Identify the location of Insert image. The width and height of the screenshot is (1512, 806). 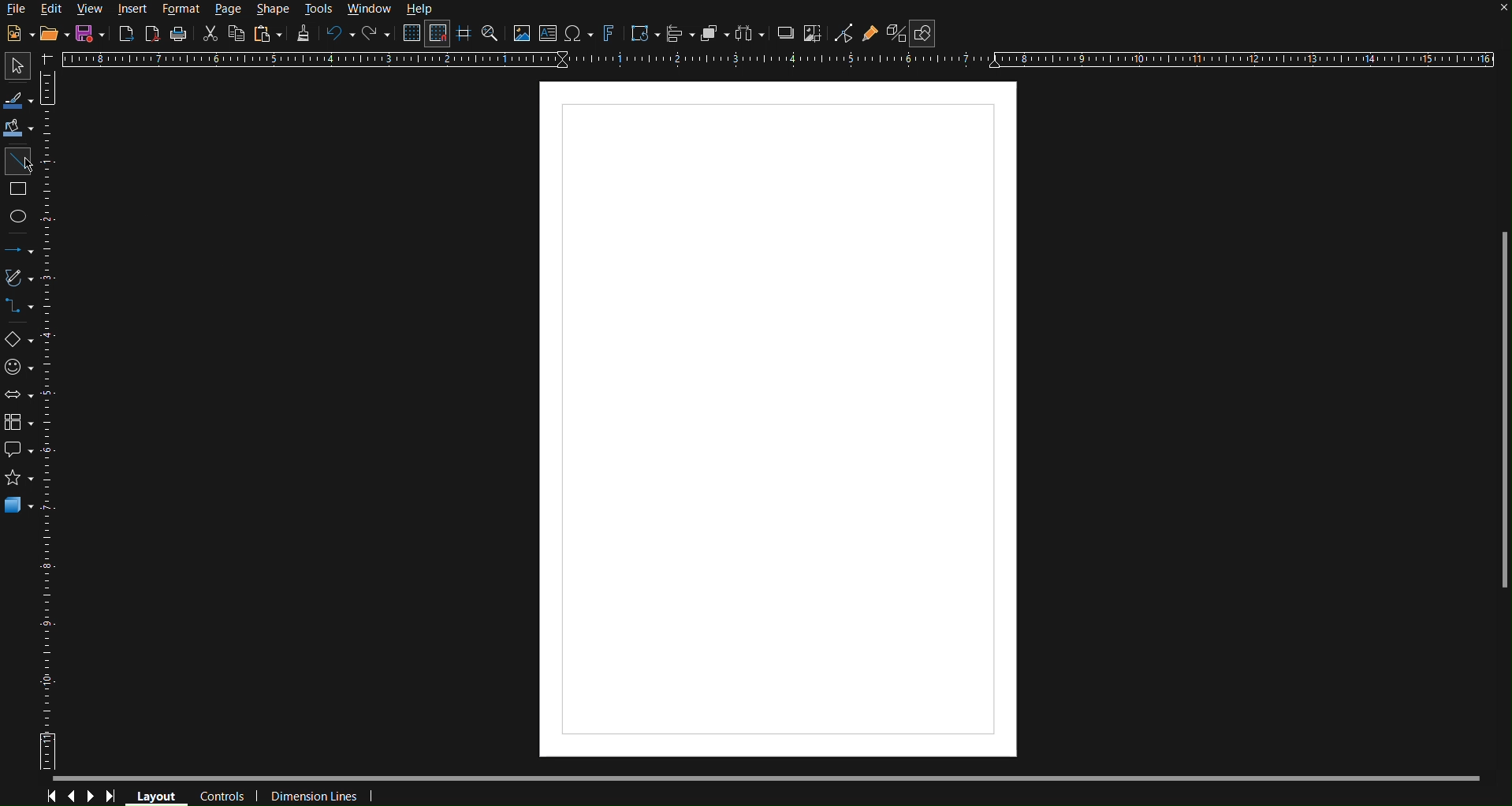
(520, 34).